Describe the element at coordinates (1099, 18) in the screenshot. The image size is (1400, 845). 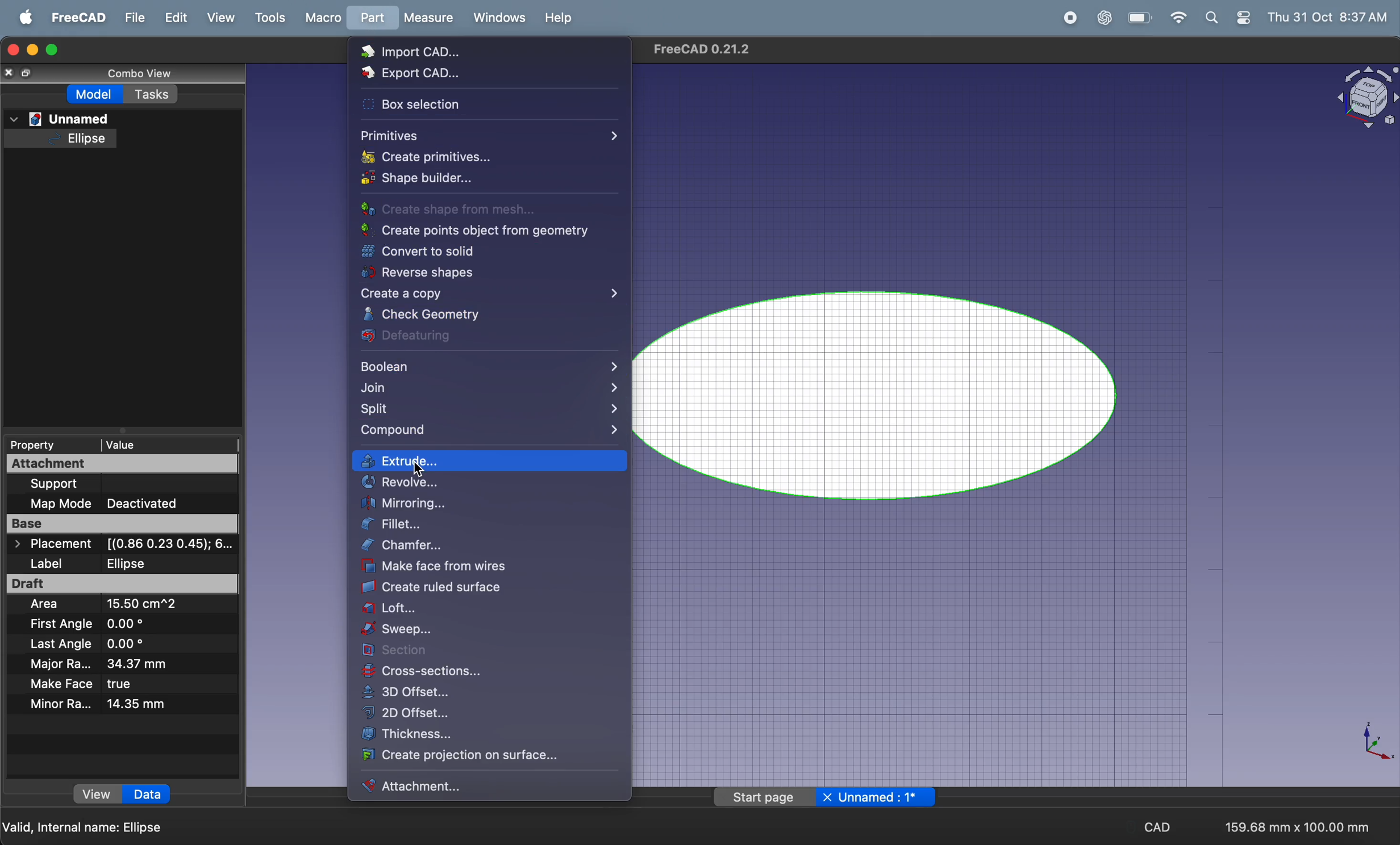
I see `chatgpt` at that location.